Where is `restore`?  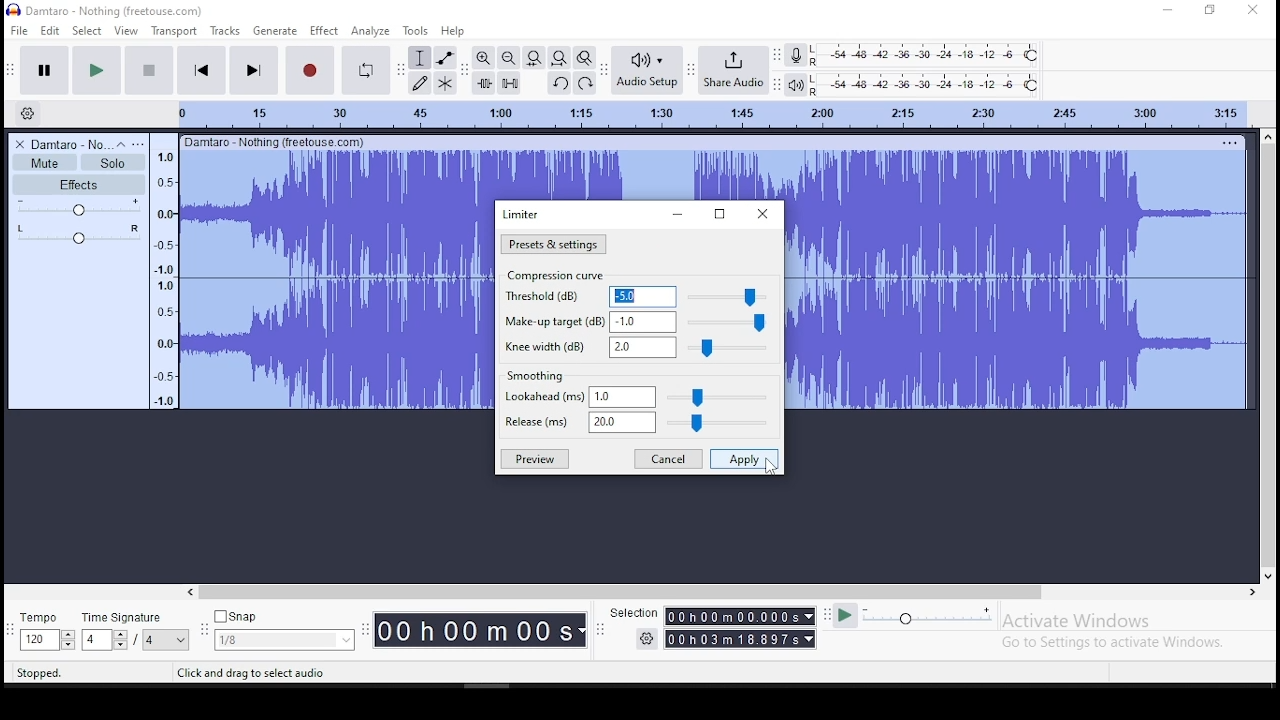 restore is located at coordinates (718, 213).